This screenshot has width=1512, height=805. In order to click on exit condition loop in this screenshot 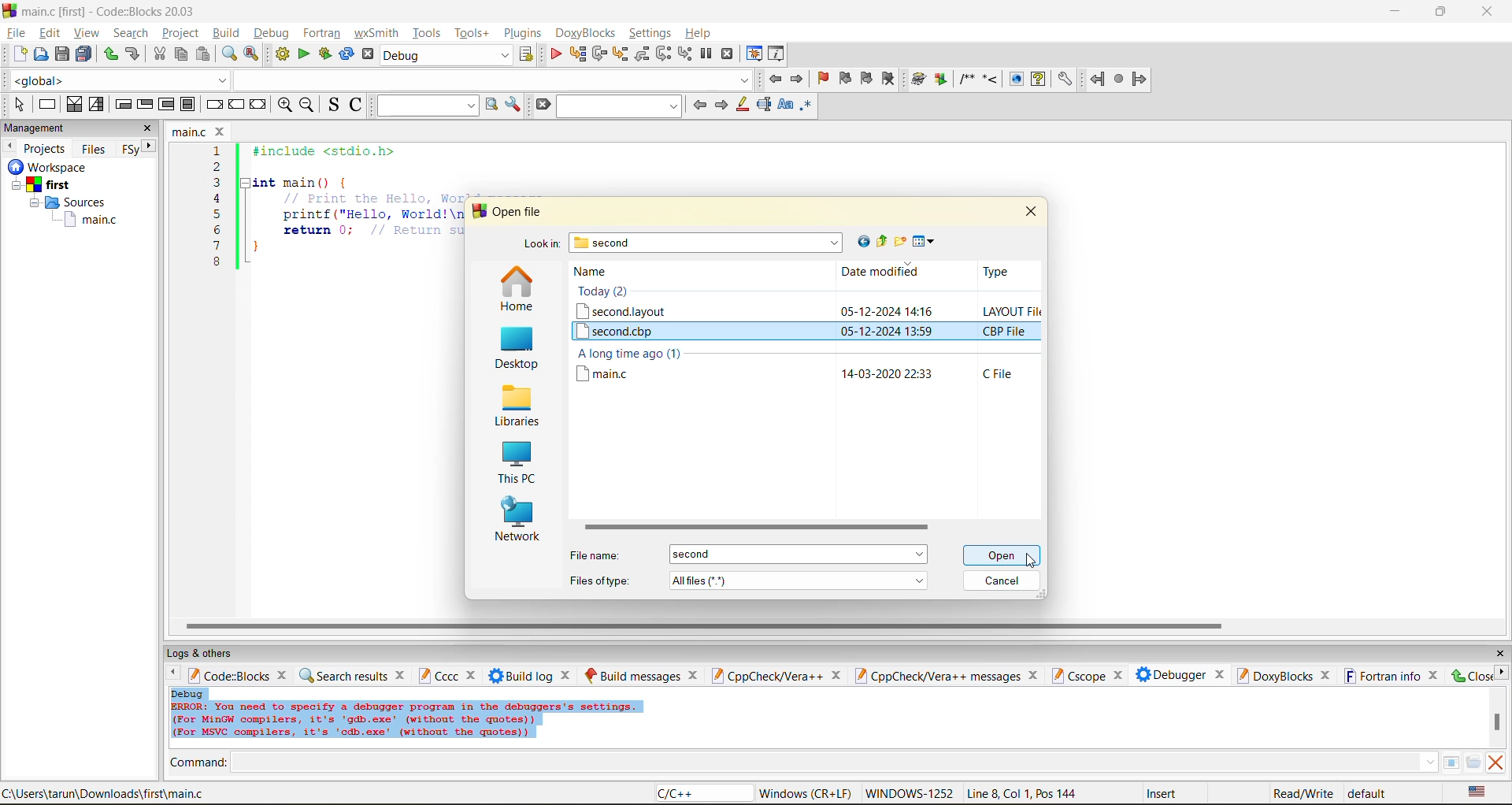, I will do `click(145, 106)`.